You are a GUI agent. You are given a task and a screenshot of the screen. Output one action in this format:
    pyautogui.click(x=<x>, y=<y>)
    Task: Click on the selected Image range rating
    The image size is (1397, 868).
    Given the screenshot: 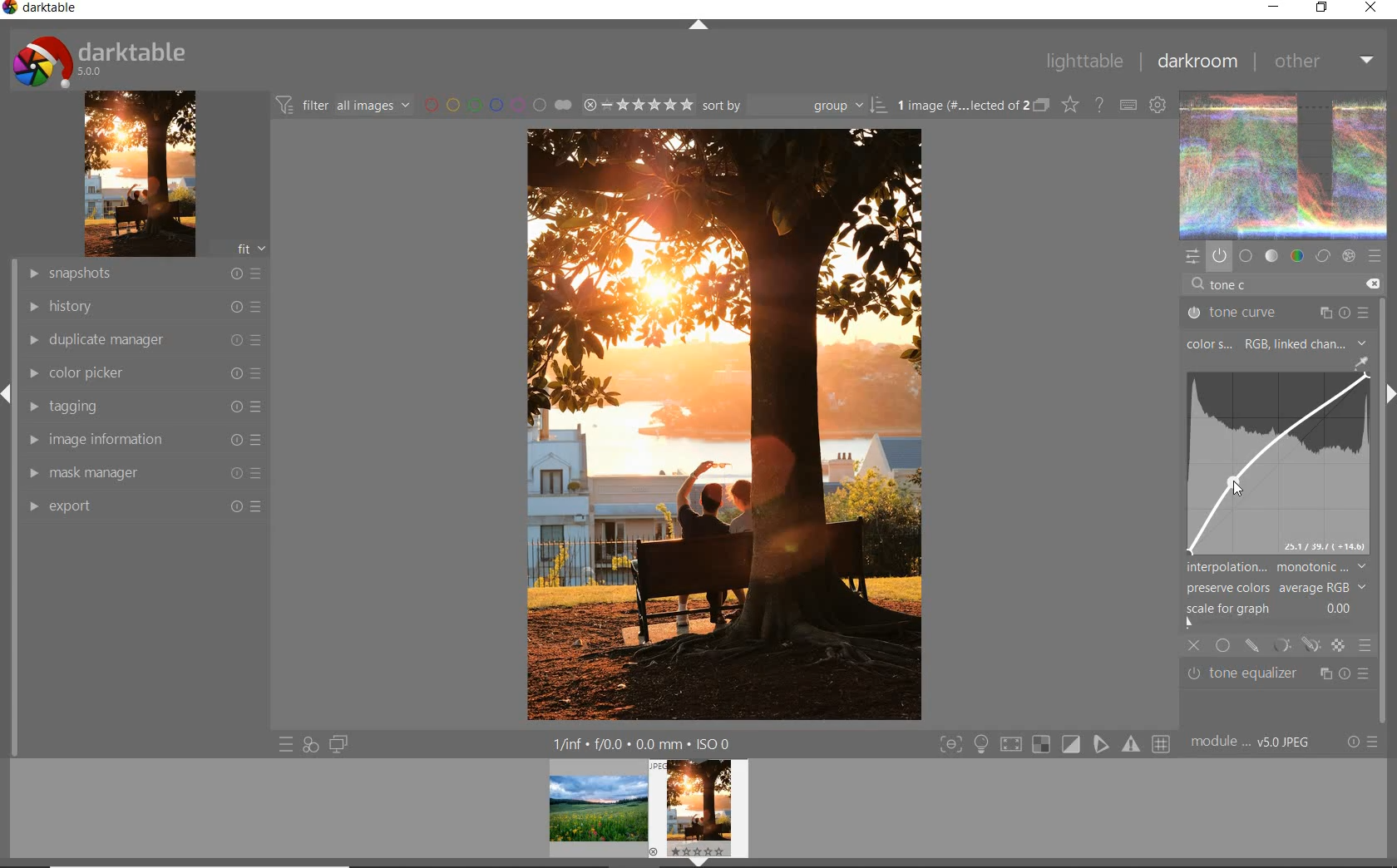 What is the action you would take?
    pyautogui.click(x=638, y=106)
    